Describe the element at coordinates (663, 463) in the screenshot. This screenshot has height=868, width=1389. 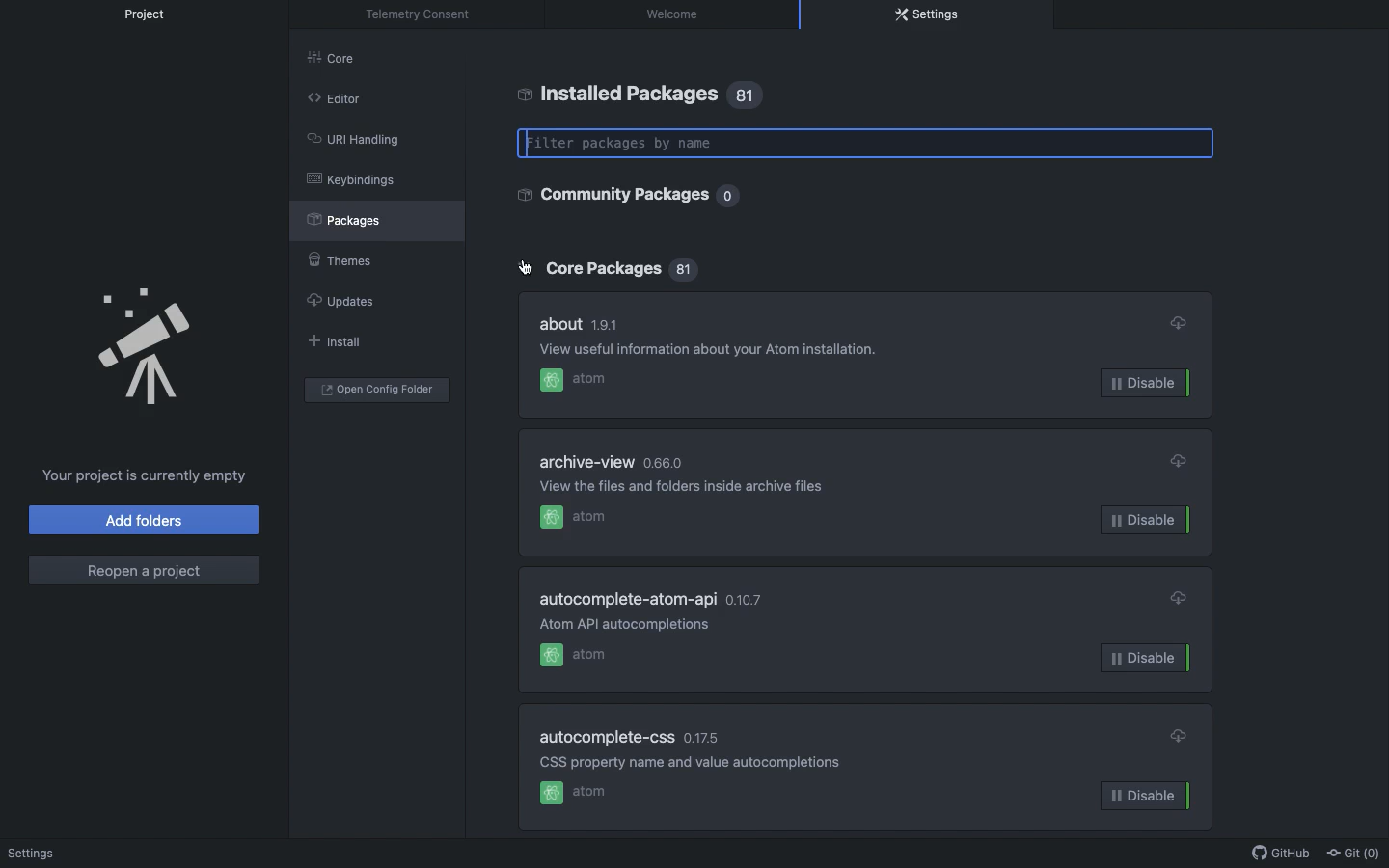
I see `0.66.0` at that location.